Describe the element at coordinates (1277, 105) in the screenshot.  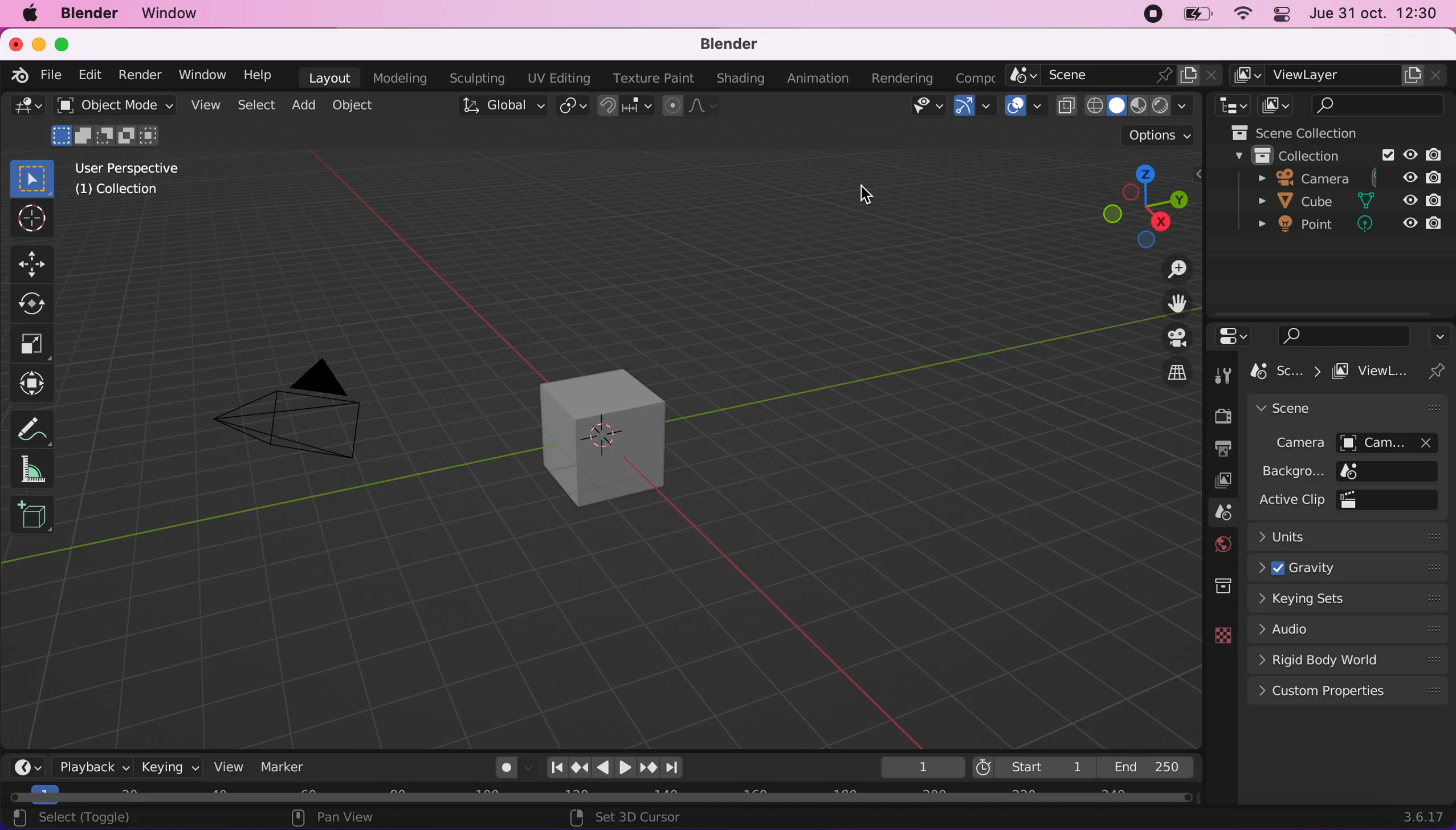
I see `display view` at that location.